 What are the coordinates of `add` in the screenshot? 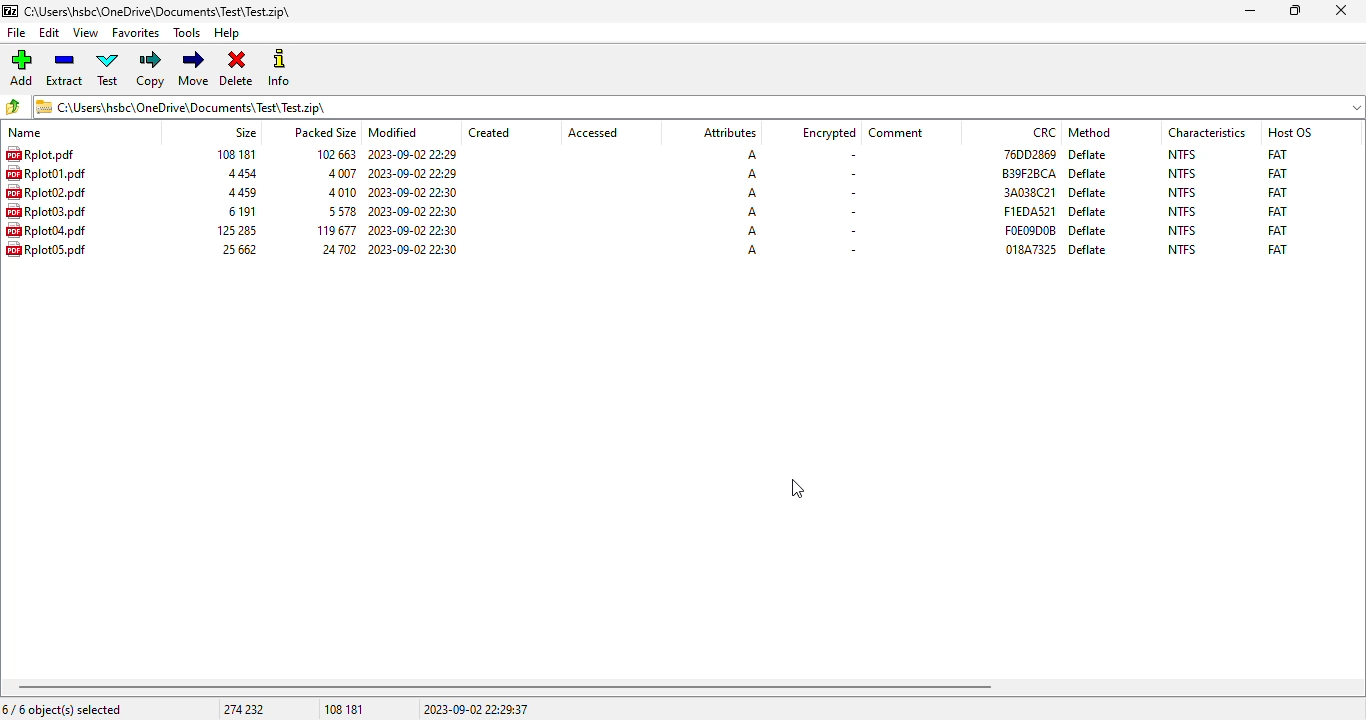 It's located at (21, 68).